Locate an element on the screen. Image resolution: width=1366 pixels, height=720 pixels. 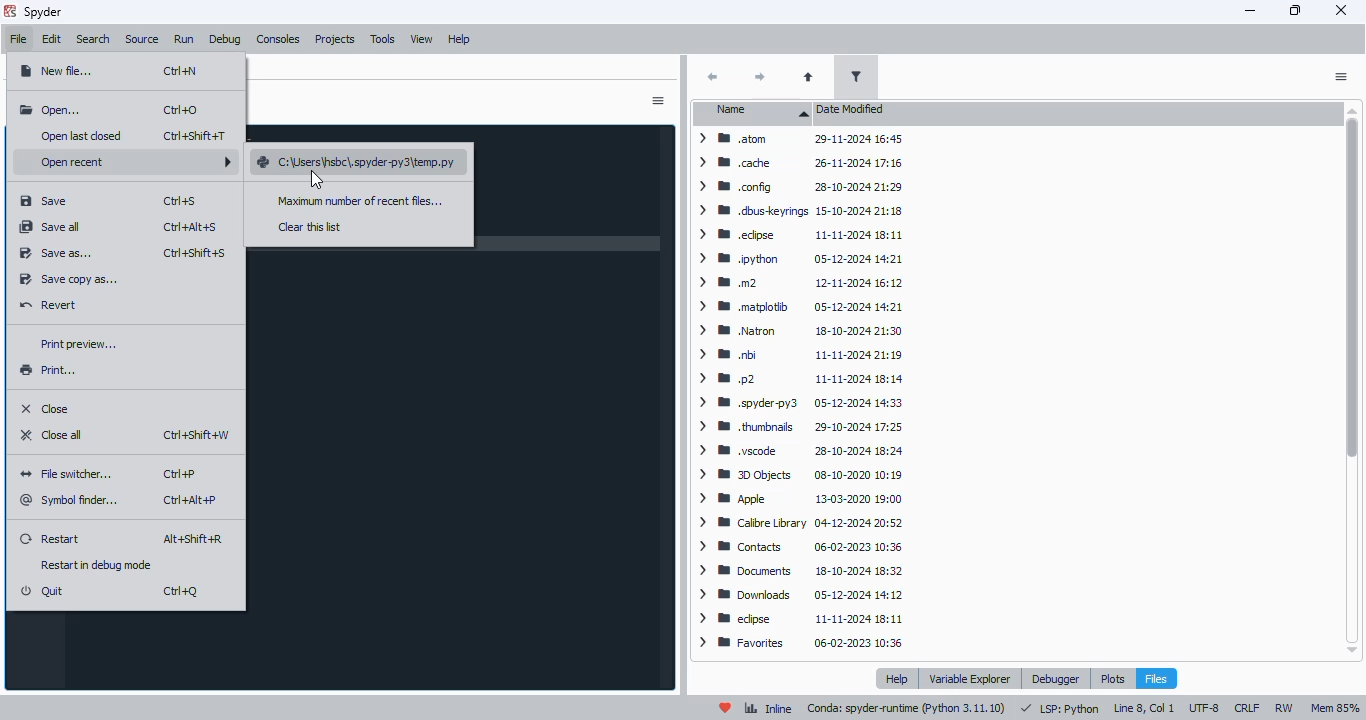
shortcut for close all is located at coordinates (196, 436).